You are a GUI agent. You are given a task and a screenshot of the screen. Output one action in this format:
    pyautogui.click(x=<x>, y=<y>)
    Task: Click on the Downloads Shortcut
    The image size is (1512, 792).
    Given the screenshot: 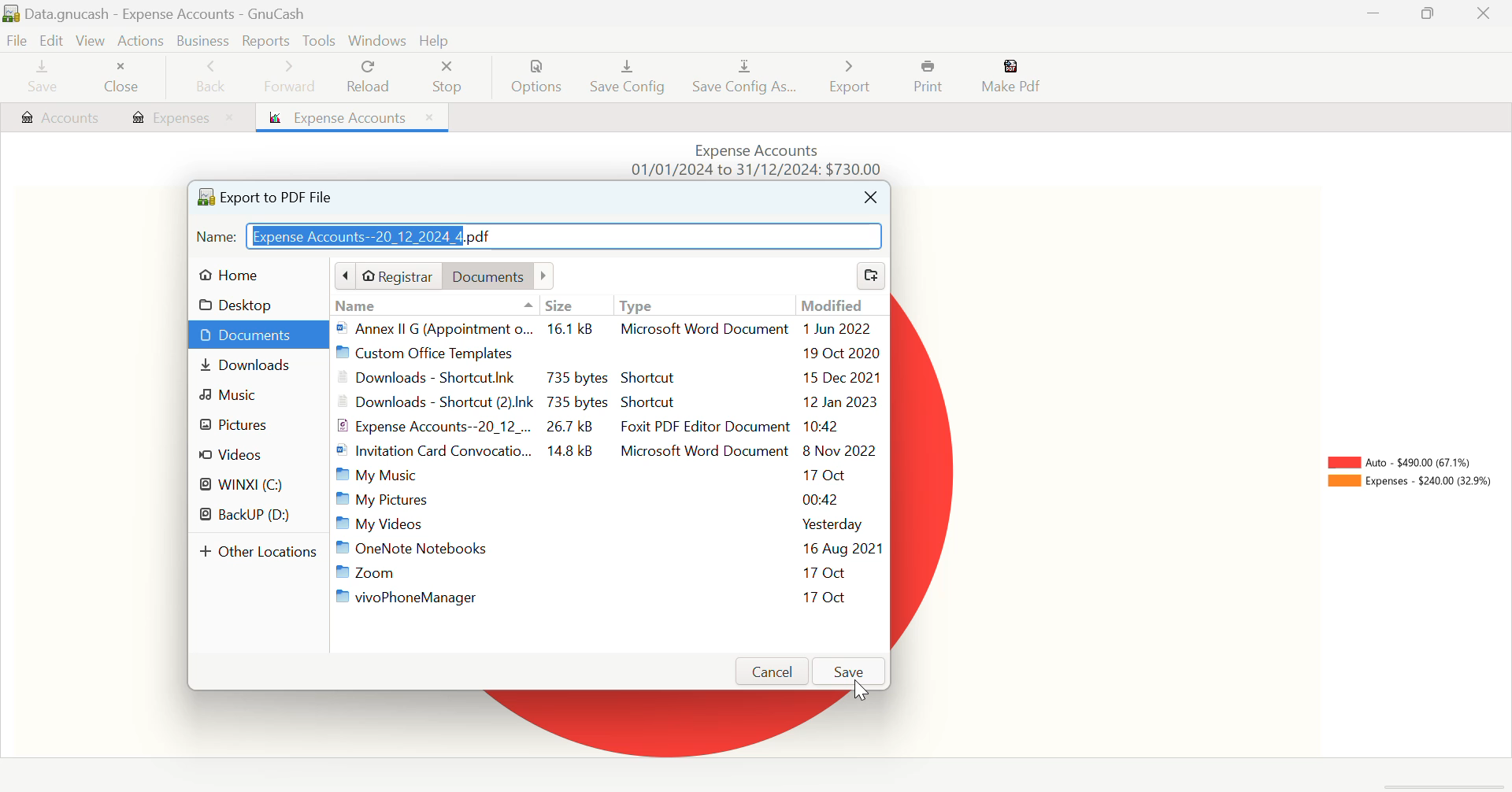 What is the action you would take?
    pyautogui.click(x=610, y=377)
    